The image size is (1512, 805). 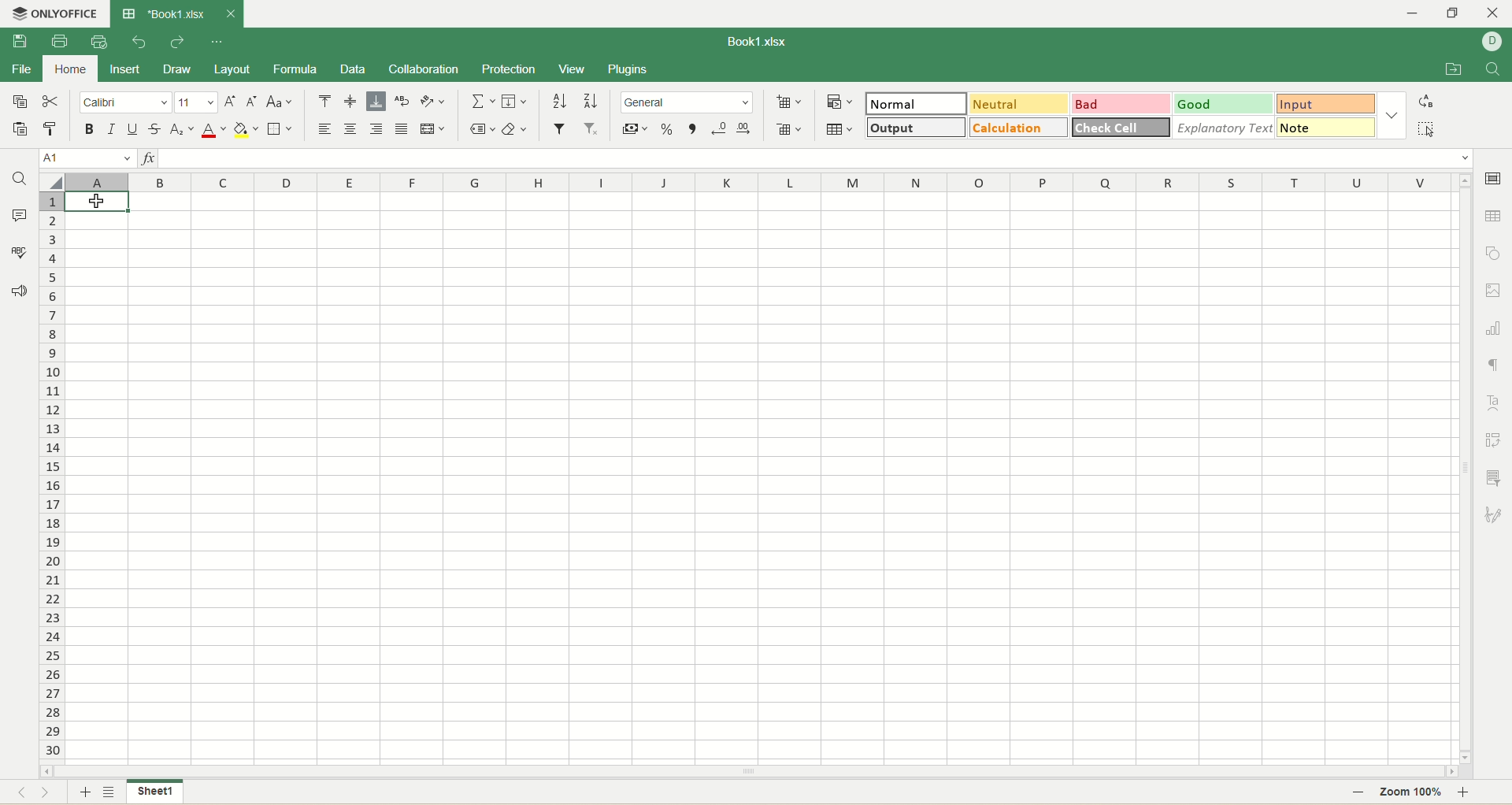 I want to click on cursor, so click(x=98, y=201).